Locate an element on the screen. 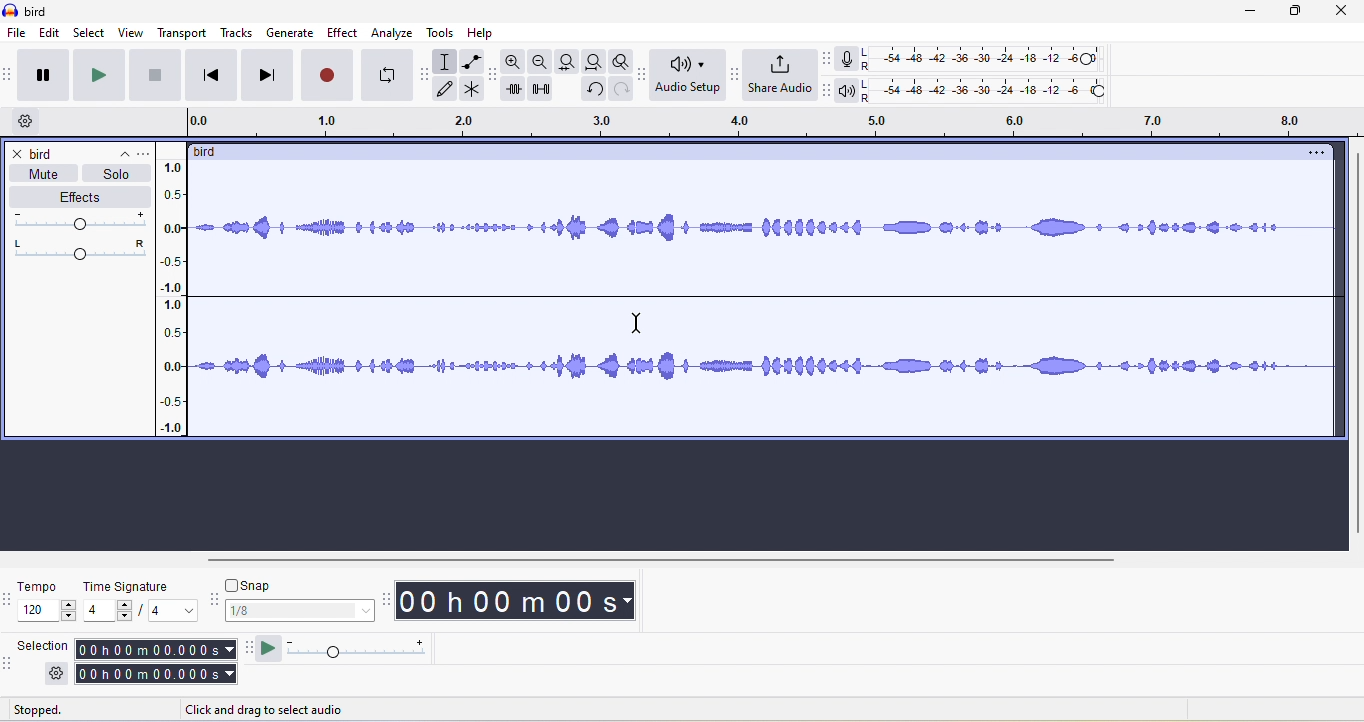 The width and height of the screenshot is (1364, 722). click and drag to define a looping region  is located at coordinates (763, 123).